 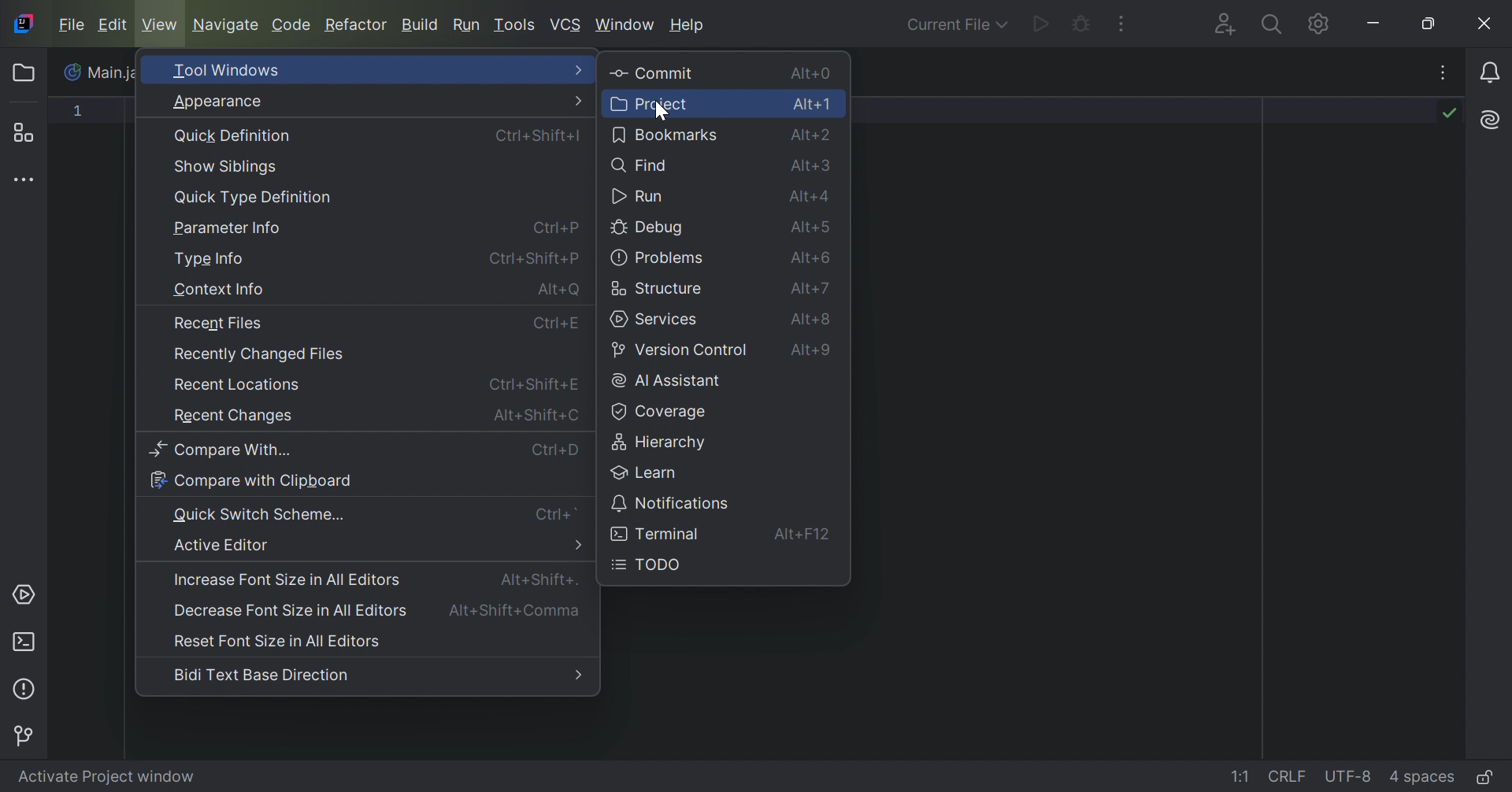 What do you see at coordinates (566, 24) in the screenshot?
I see `VCS` at bounding box center [566, 24].